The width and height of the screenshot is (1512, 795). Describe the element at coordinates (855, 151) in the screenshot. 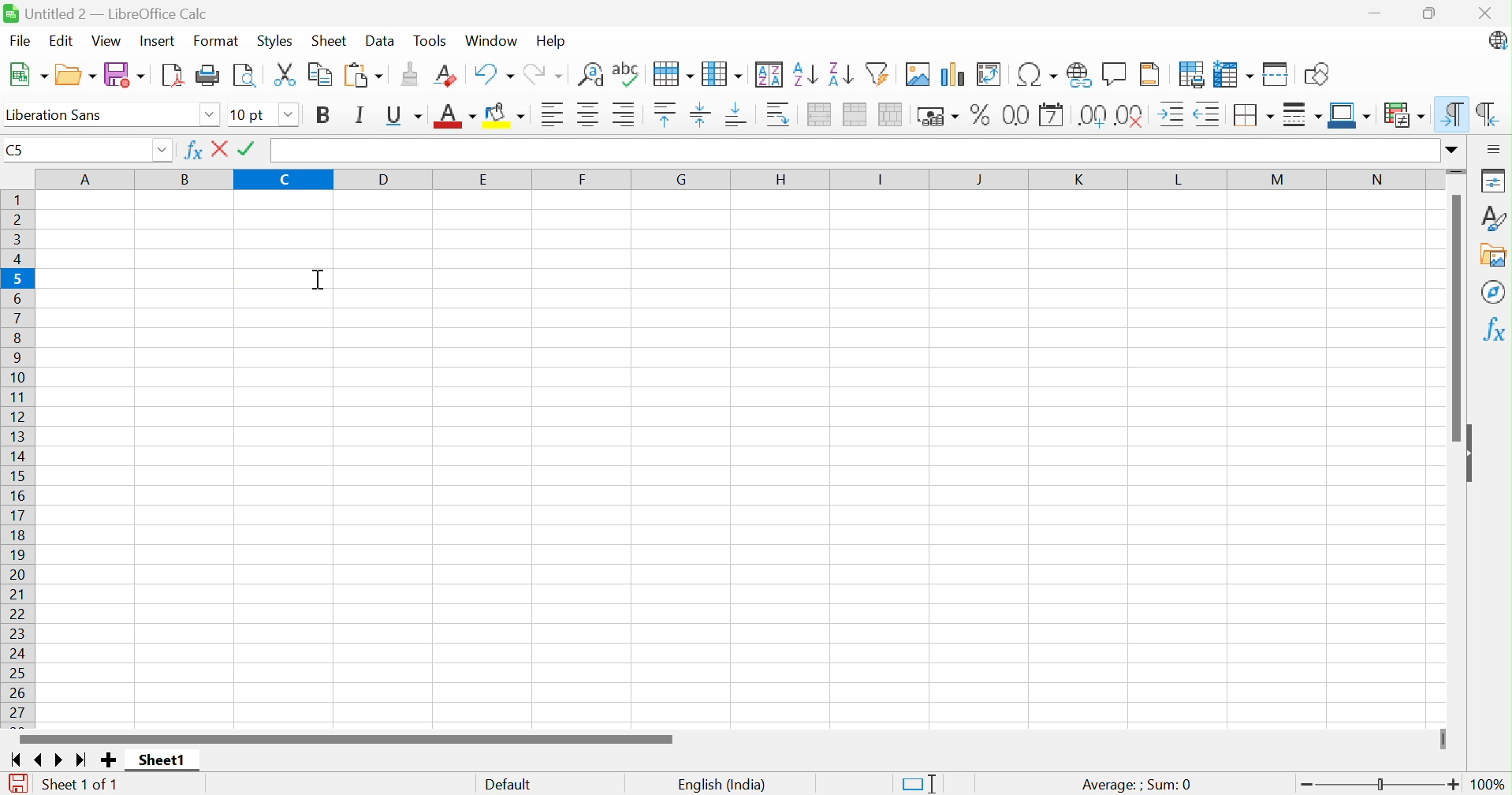

I see `Input line` at that location.